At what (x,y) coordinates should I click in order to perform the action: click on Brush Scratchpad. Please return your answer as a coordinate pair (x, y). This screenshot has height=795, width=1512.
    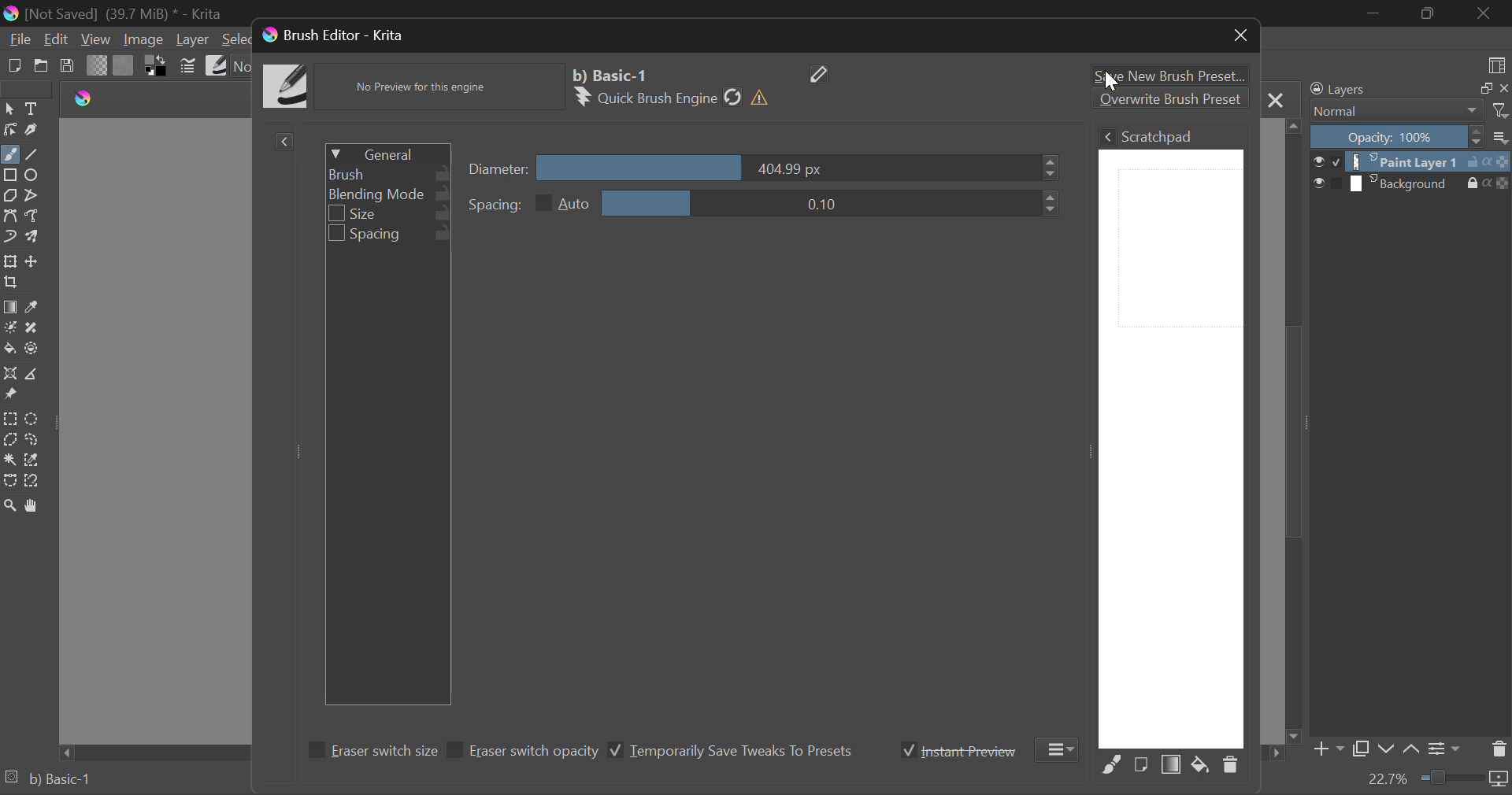
    Looking at the image, I should click on (1171, 436).